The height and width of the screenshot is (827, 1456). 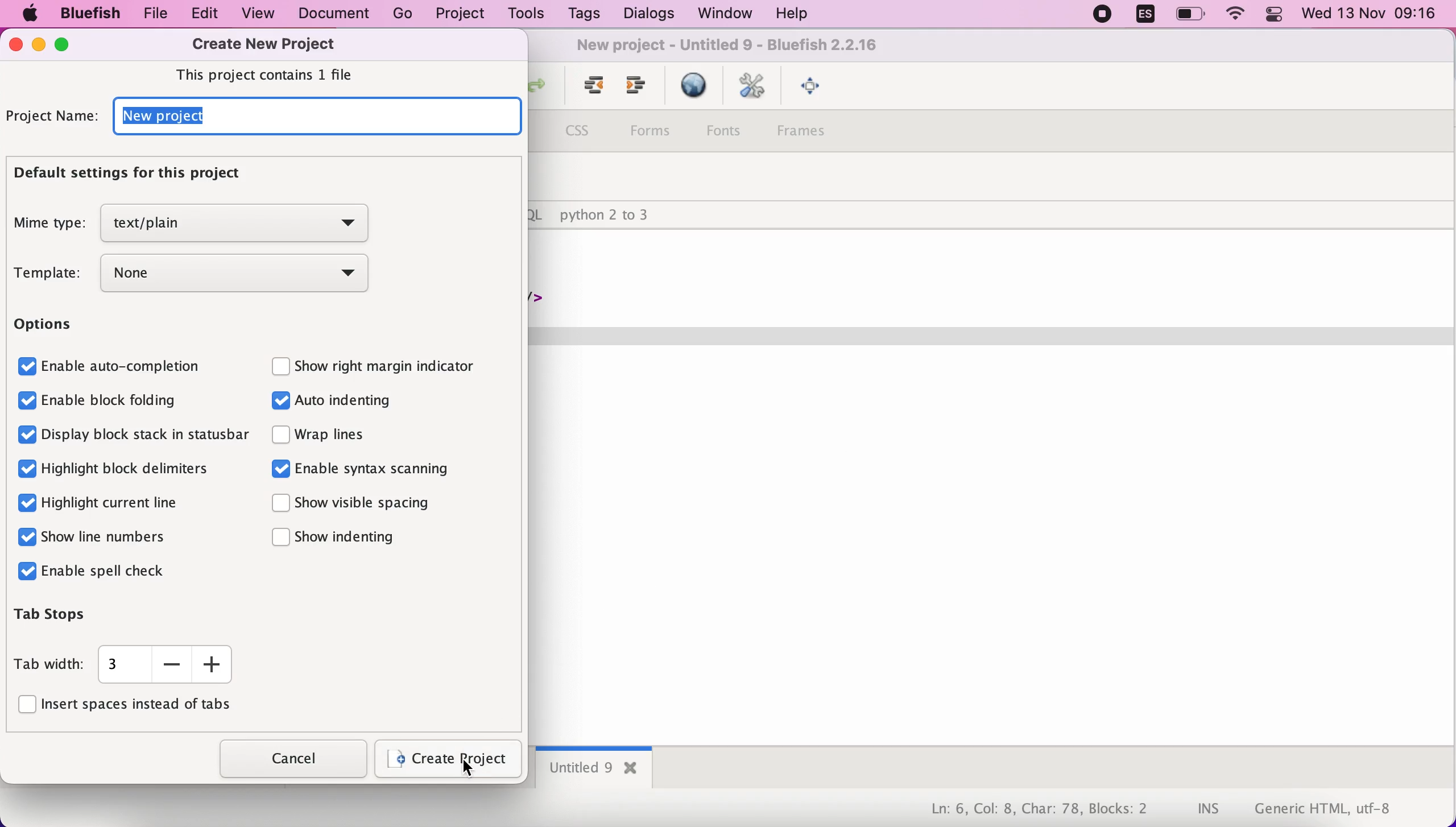 I want to click on tab width, so click(x=49, y=664).